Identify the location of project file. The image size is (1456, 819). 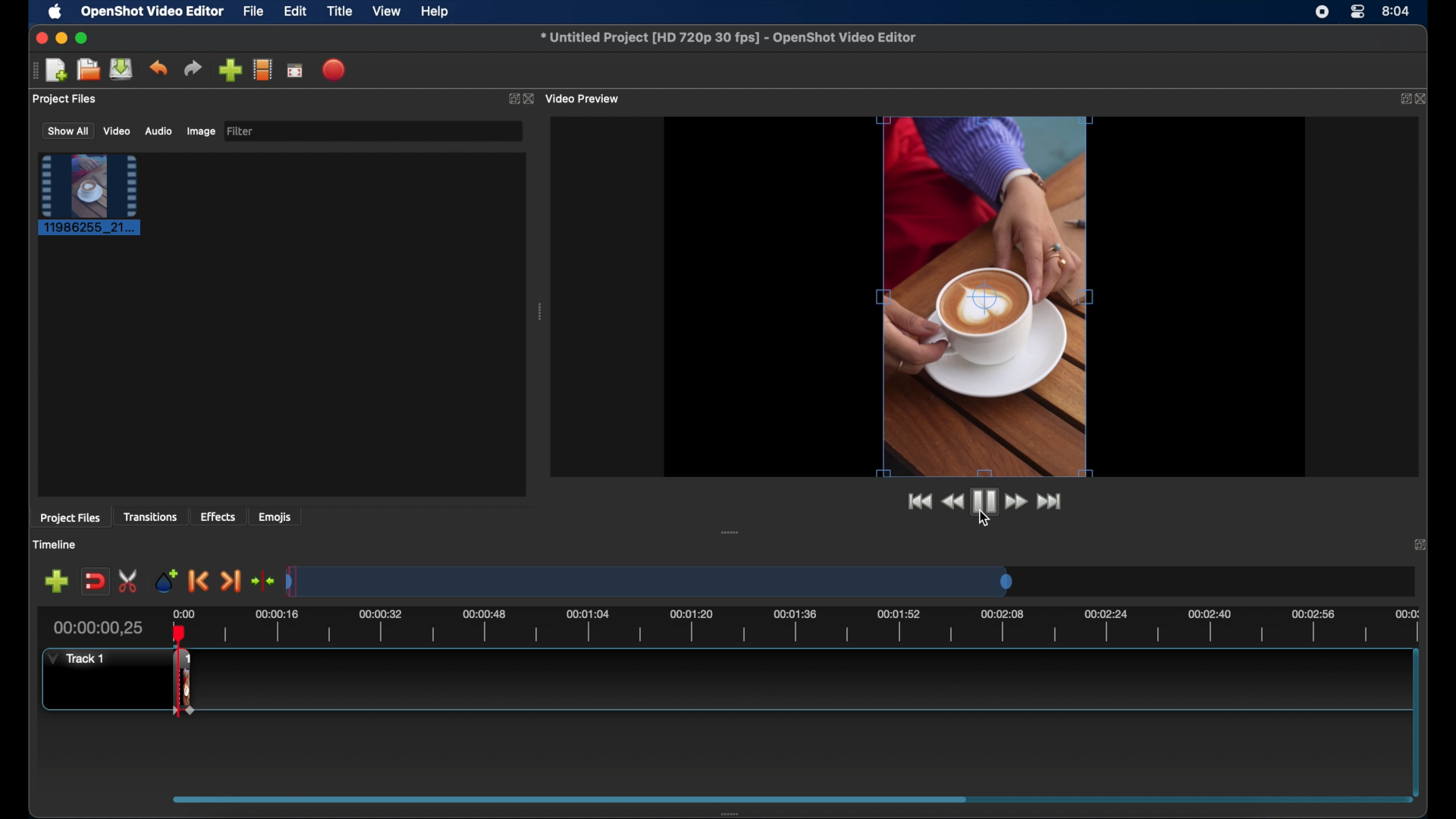
(90, 195).